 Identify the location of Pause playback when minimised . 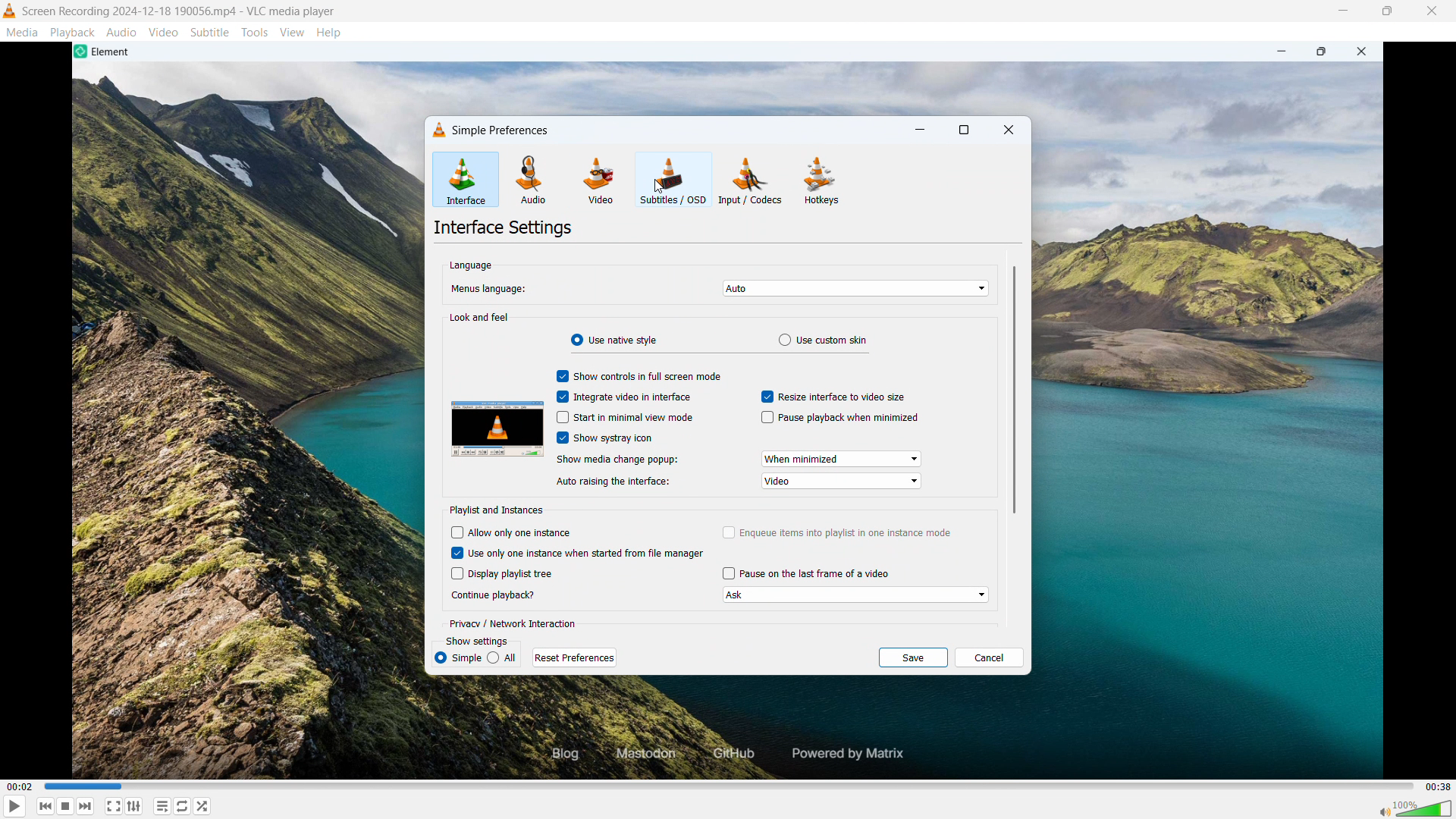
(864, 418).